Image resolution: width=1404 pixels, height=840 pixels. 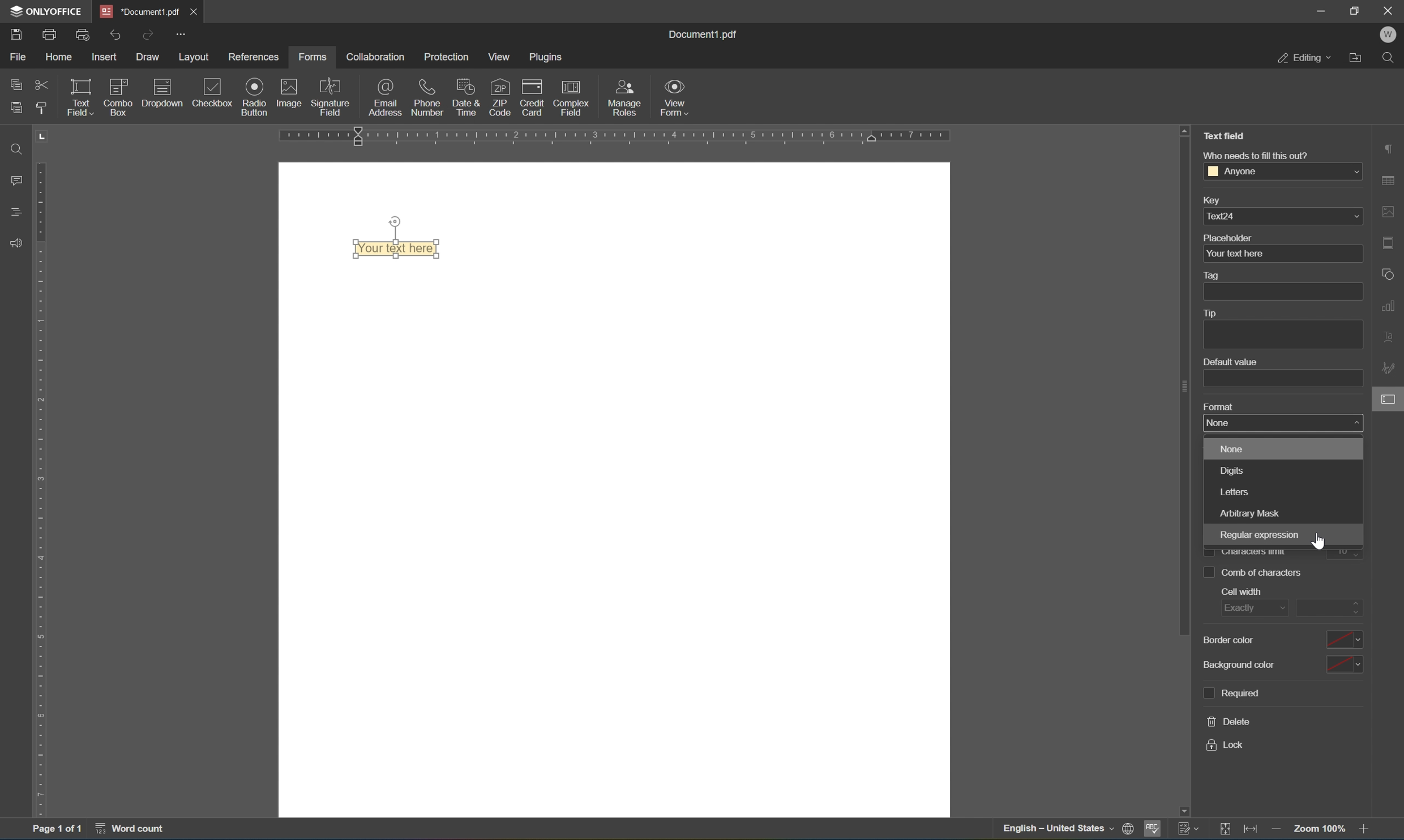 What do you see at coordinates (290, 92) in the screenshot?
I see `image` at bounding box center [290, 92].